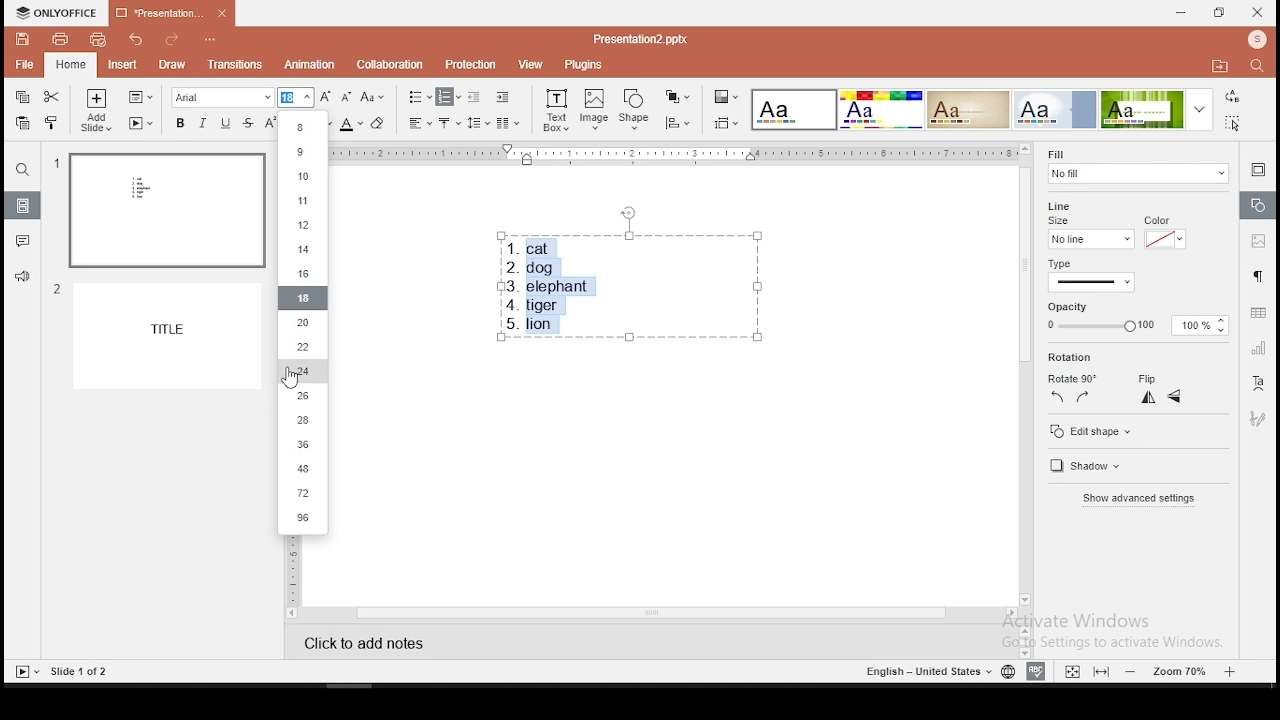  I want to click on line, so click(1068, 201).